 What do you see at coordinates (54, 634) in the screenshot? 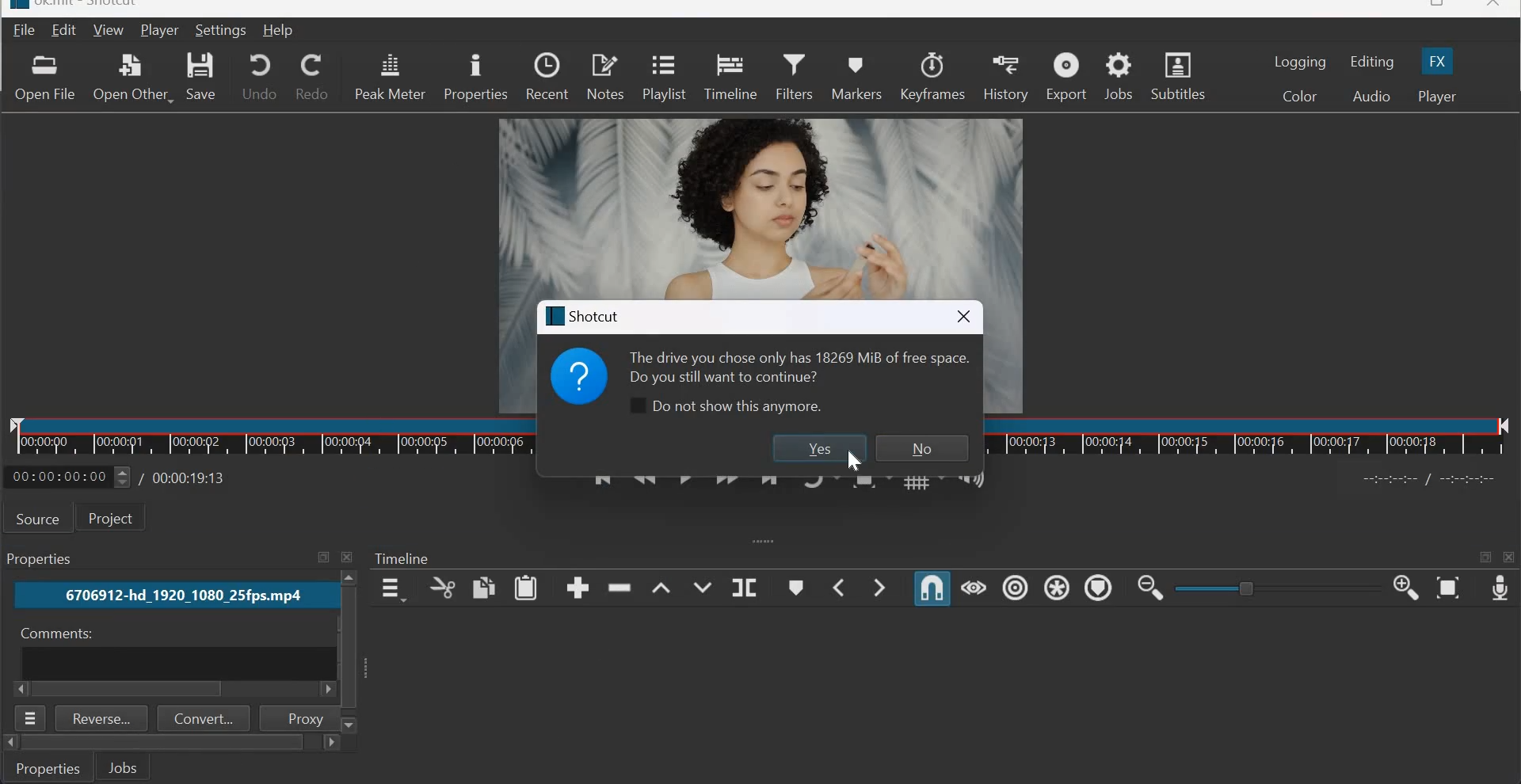
I see `comments:` at bounding box center [54, 634].